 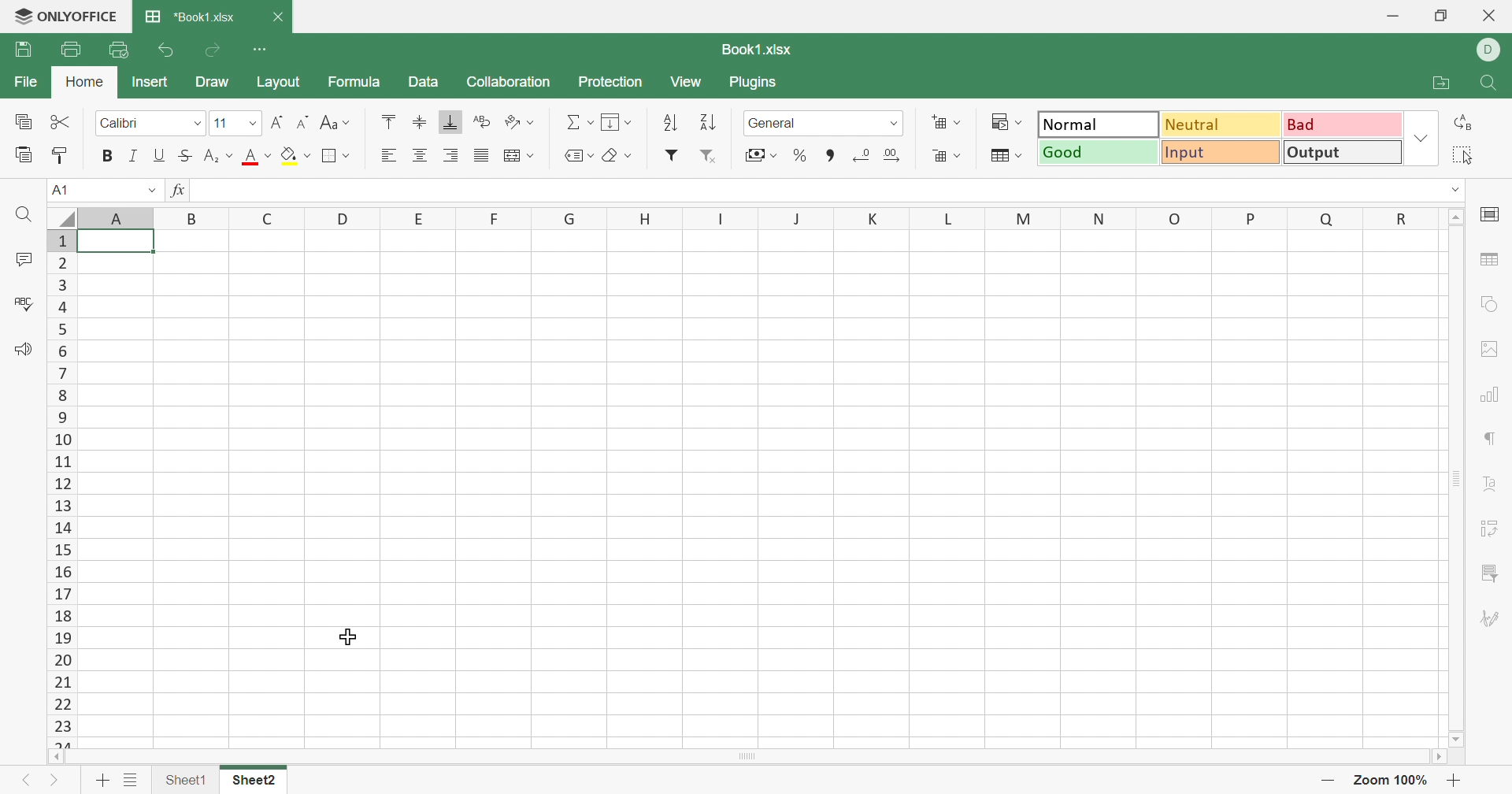 I want to click on Protection, so click(x=610, y=81).